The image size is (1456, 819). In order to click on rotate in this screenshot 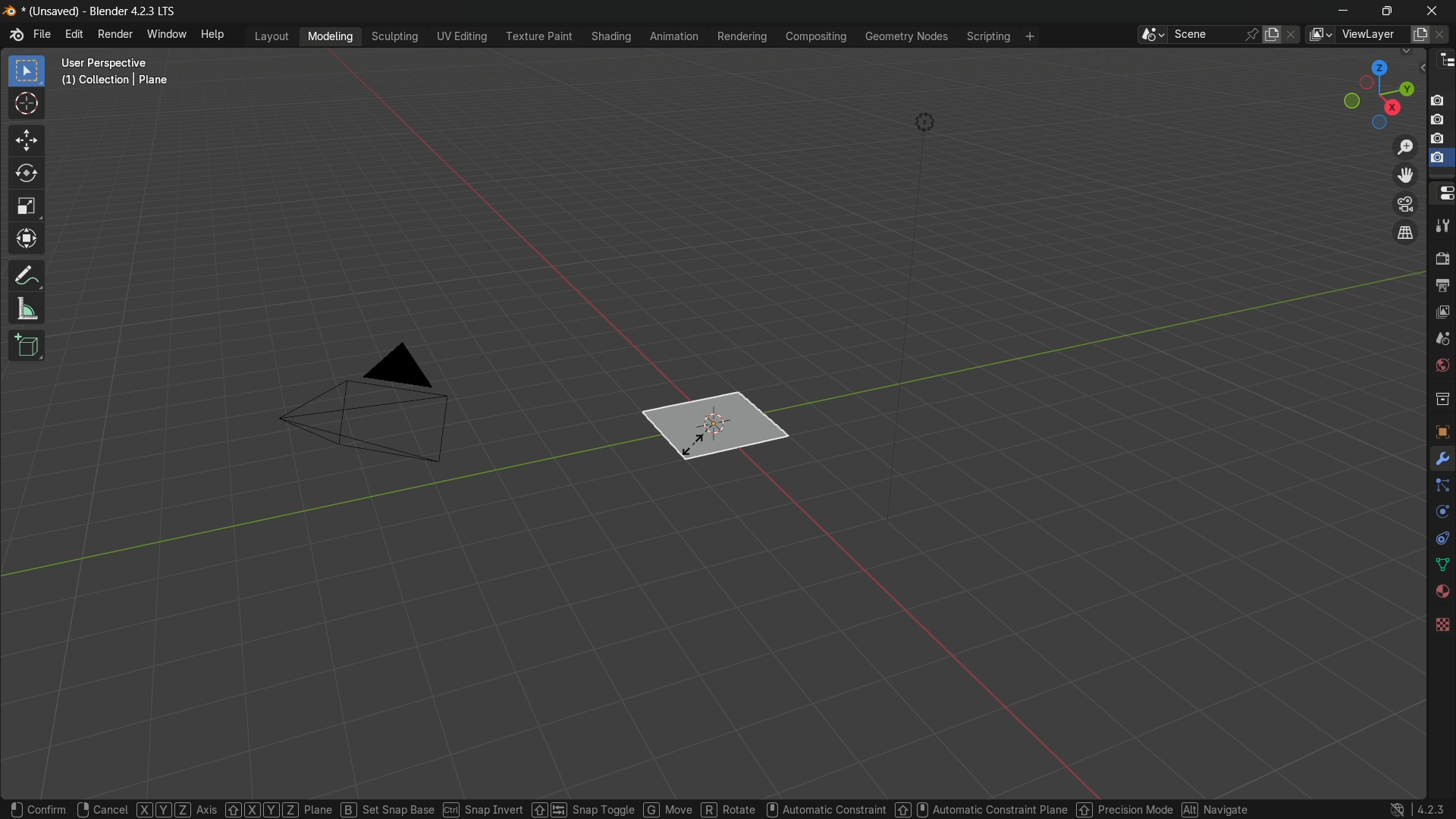, I will do `click(28, 174)`.